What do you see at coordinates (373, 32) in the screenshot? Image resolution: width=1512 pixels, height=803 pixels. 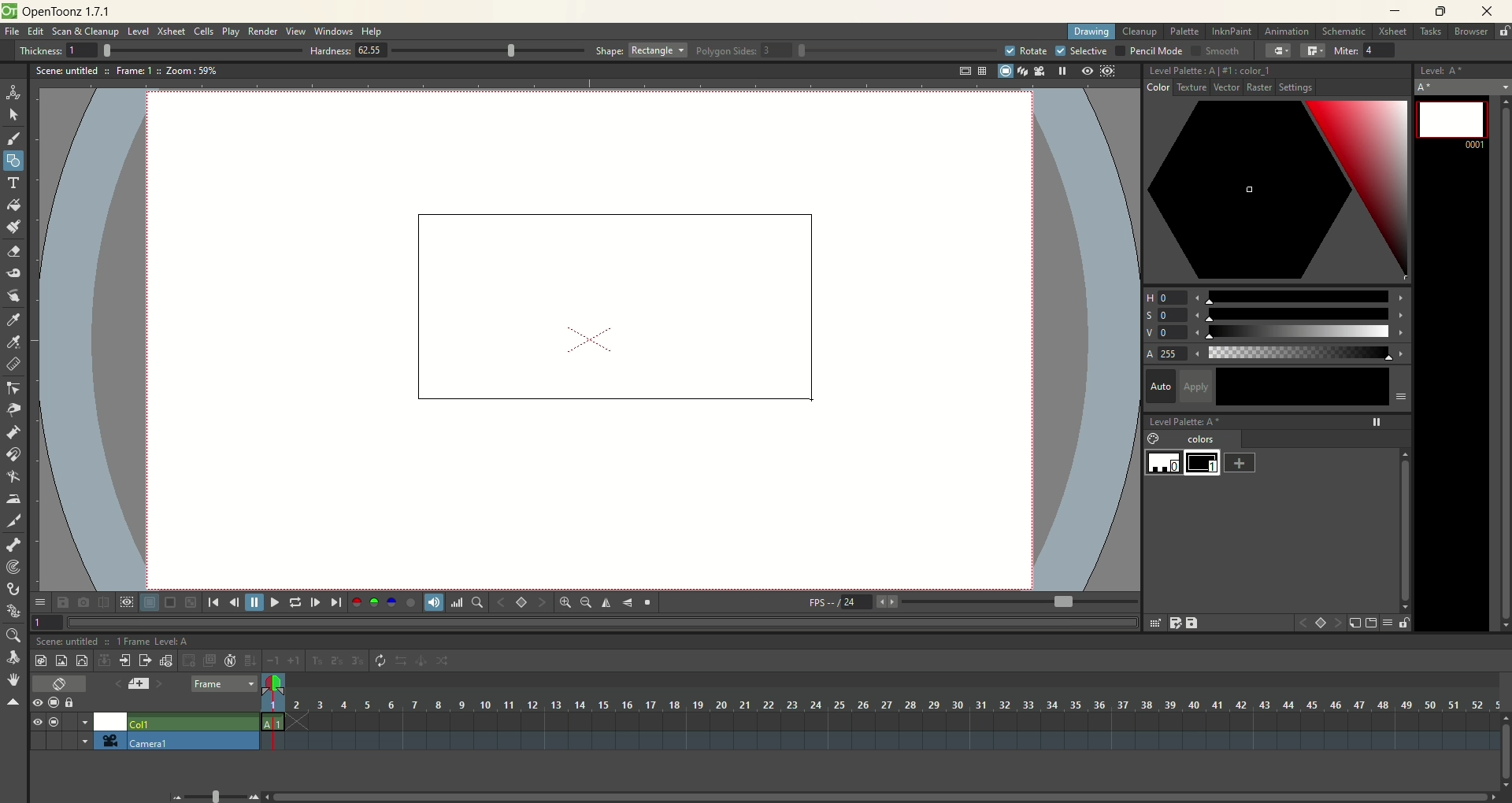 I see `help` at bounding box center [373, 32].